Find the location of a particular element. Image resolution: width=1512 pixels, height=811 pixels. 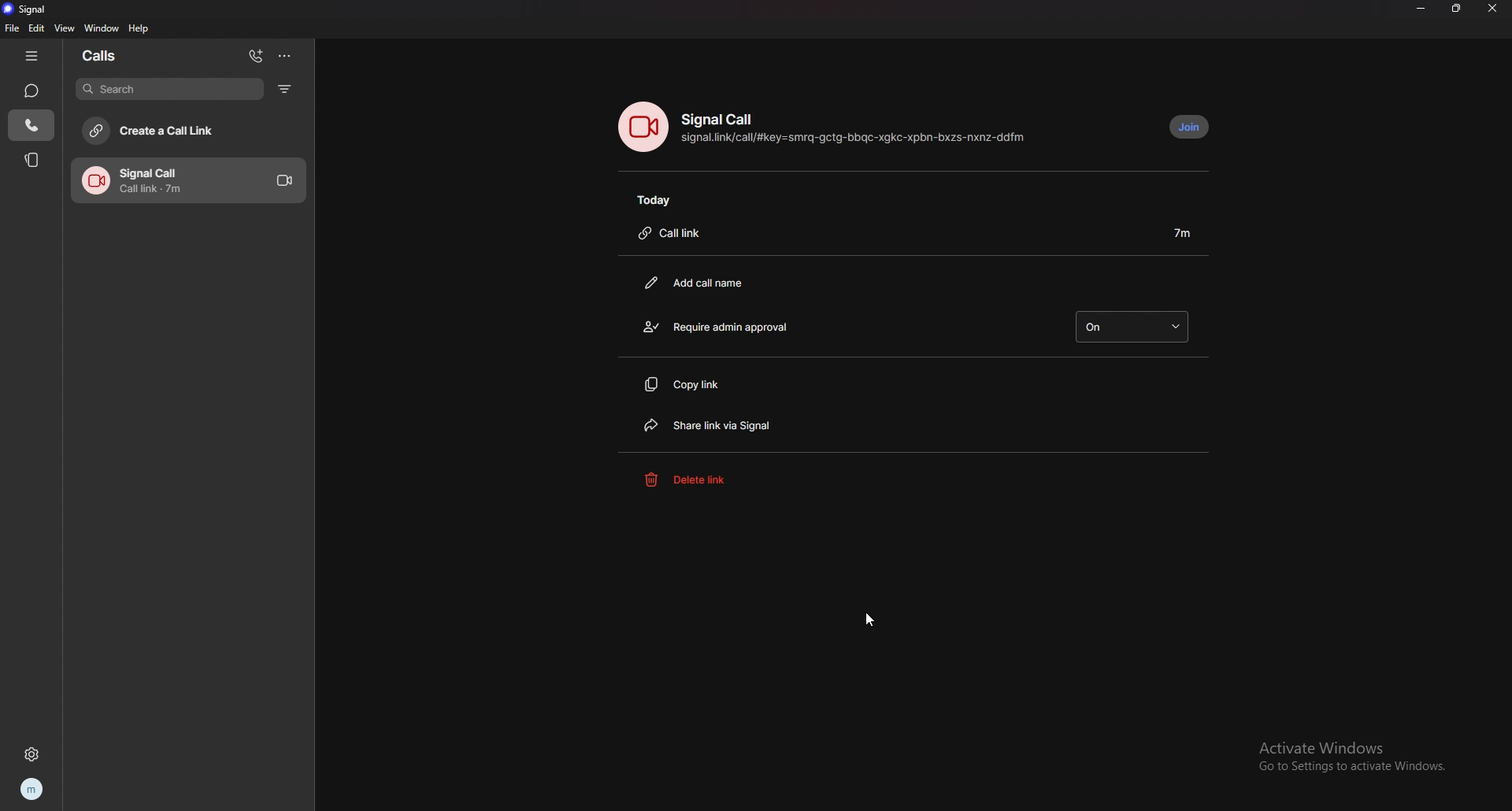

settings is located at coordinates (31, 754).